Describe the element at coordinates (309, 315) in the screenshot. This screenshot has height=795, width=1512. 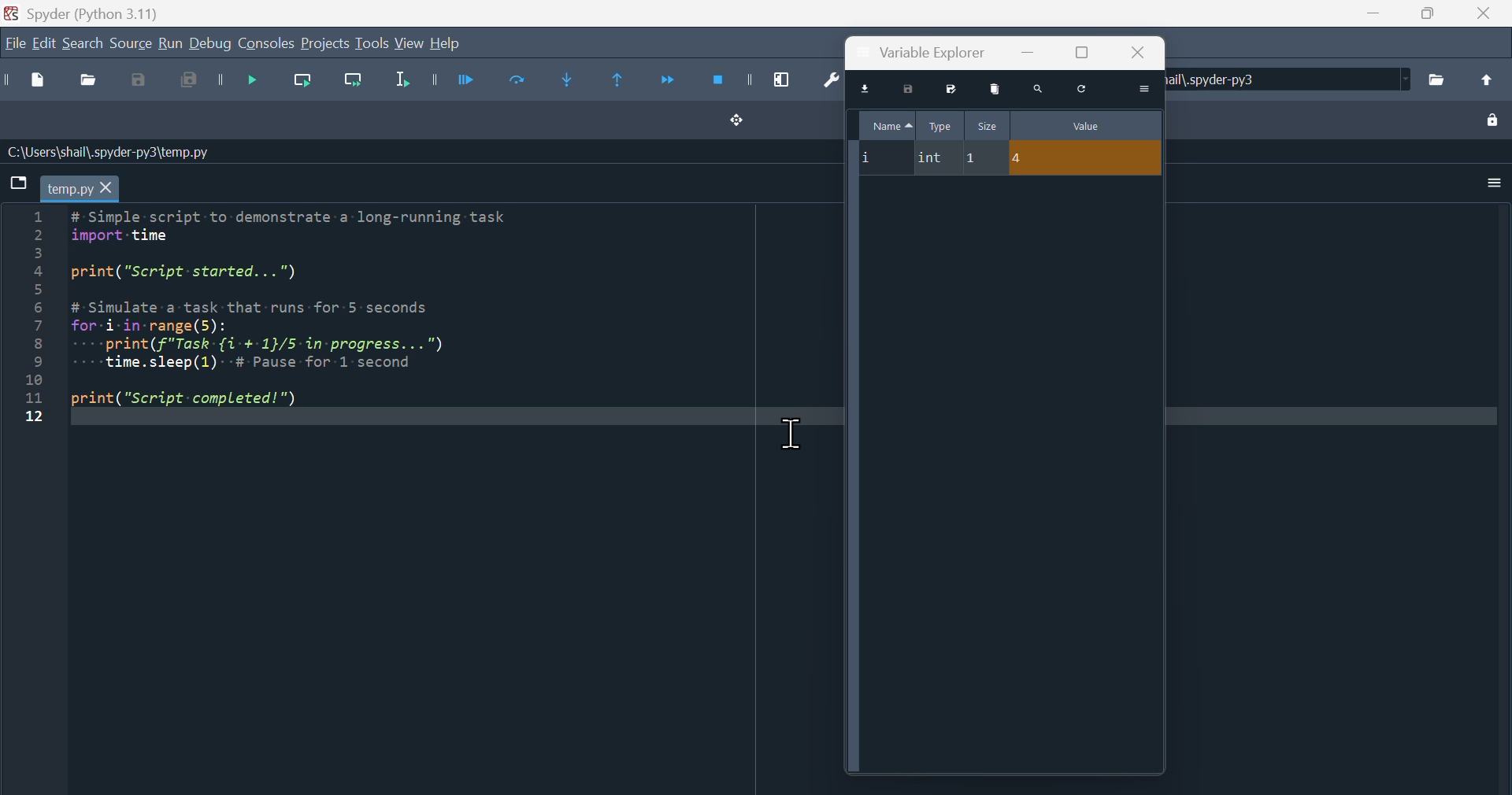
I see `code` at that location.